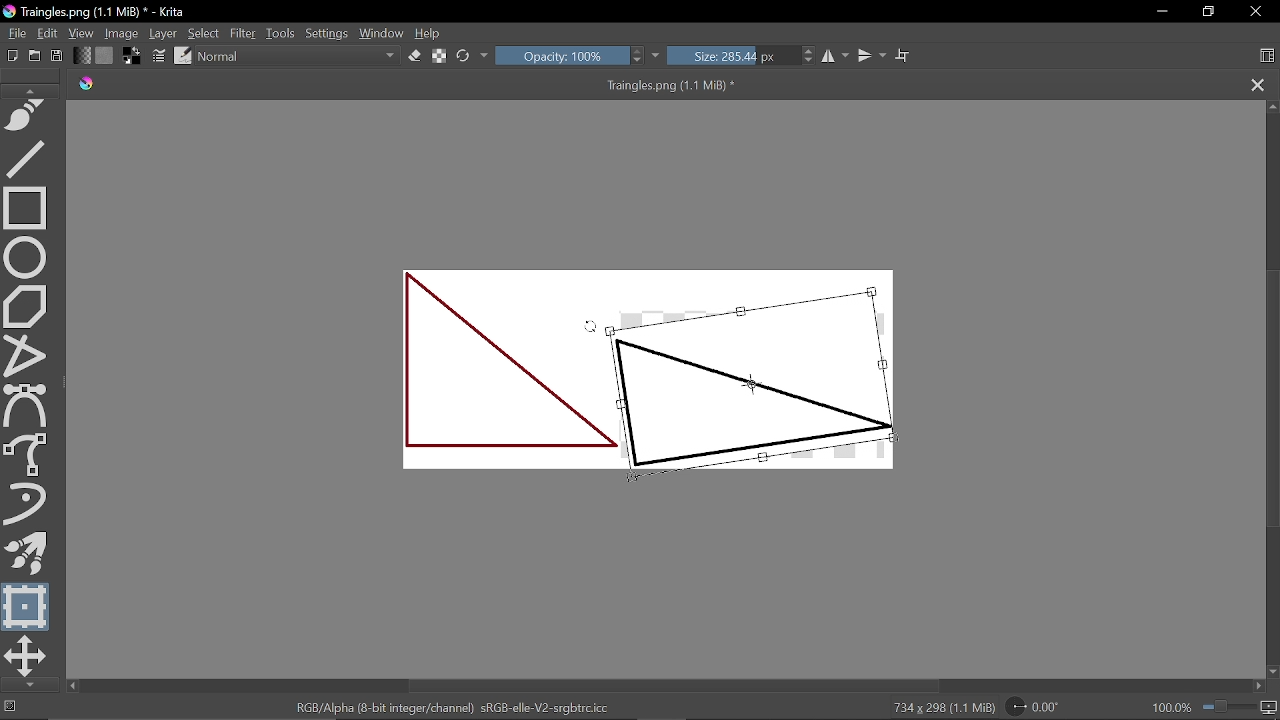 The width and height of the screenshot is (1280, 720). Describe the element at coordinates (743, 57) in the screenshot. I see `Size: 285.44 px` at that location.